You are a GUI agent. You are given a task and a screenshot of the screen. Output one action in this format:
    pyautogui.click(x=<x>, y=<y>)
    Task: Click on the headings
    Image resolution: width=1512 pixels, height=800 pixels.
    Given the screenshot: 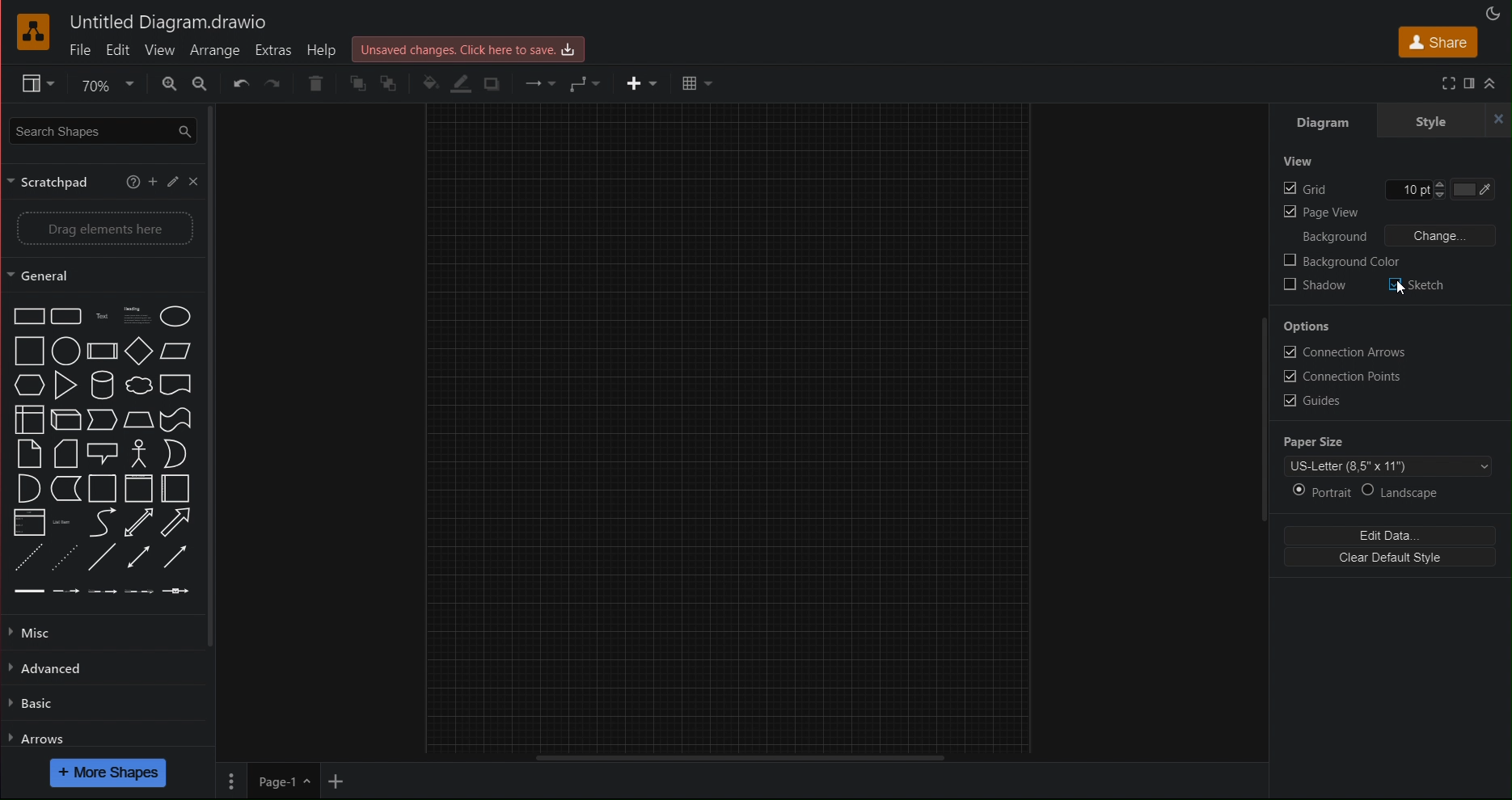 What is the action you would take?
    pyautogui.click(x=134, y=317)
    